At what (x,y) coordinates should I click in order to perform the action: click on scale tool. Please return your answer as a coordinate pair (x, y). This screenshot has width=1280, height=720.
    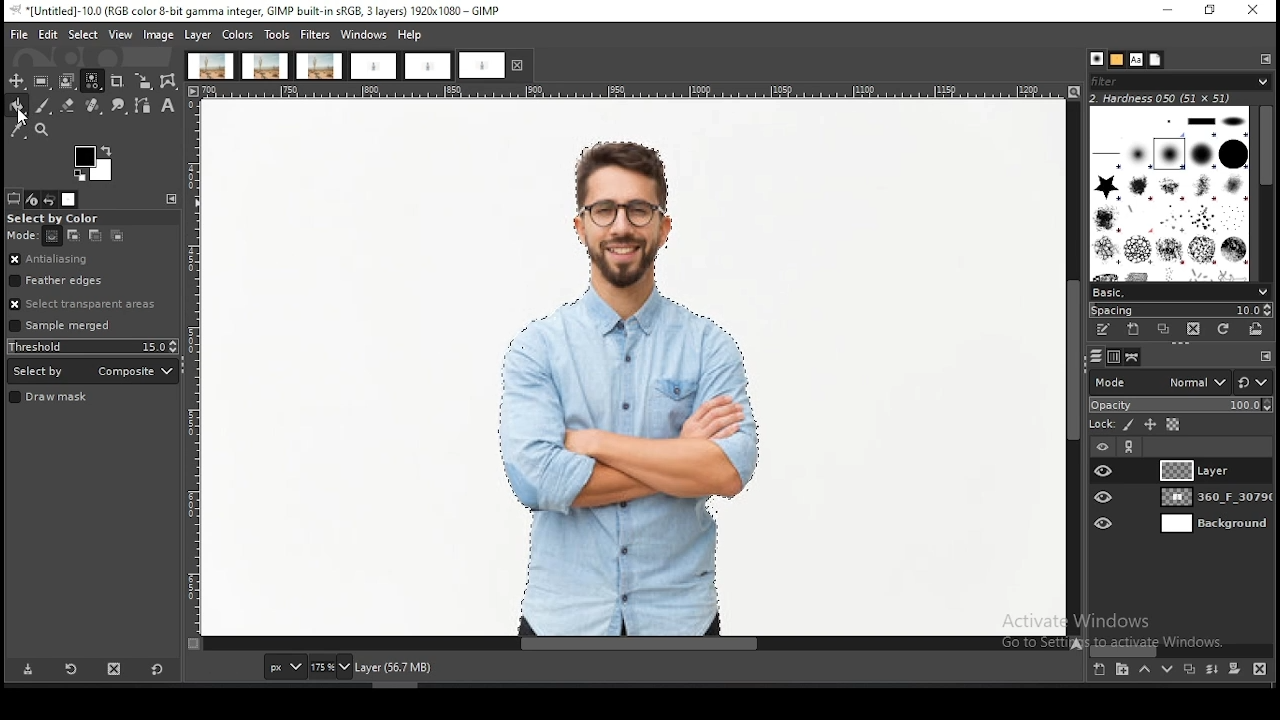
    Looking at the image, I should click on (143, 82).